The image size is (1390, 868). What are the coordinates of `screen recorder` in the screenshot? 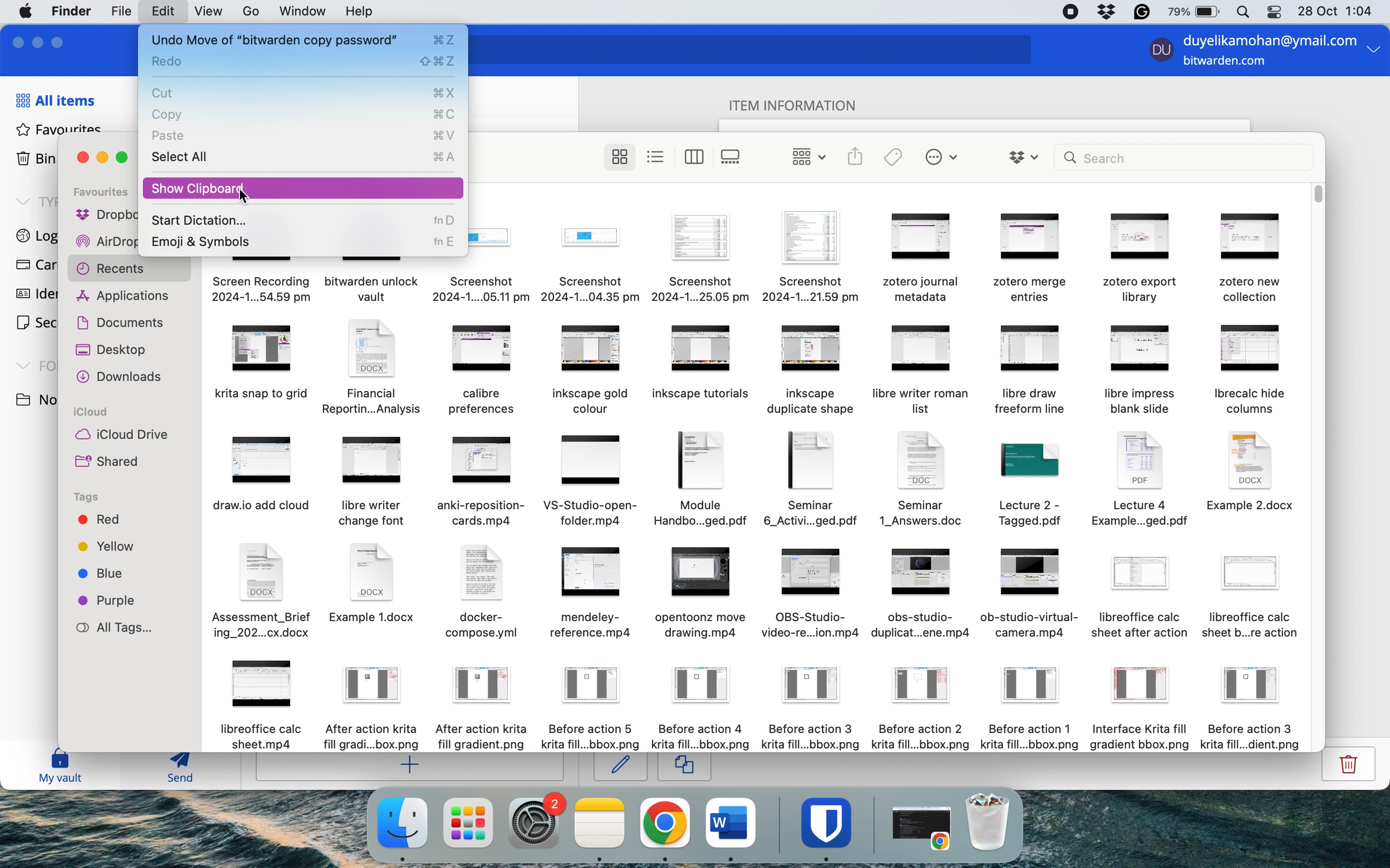 It's located at (1072, 12).